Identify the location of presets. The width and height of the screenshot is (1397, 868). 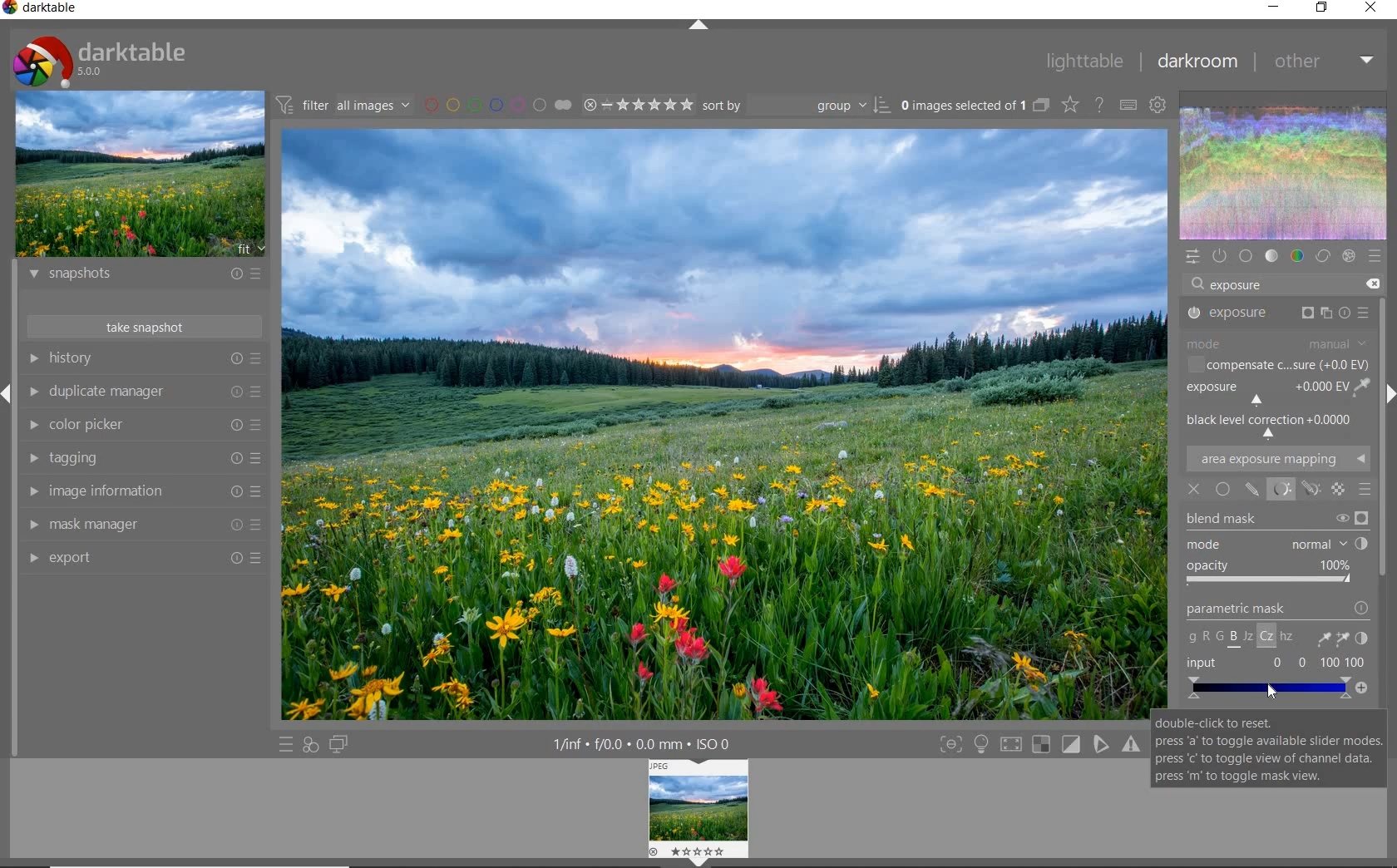
(1375, 257).